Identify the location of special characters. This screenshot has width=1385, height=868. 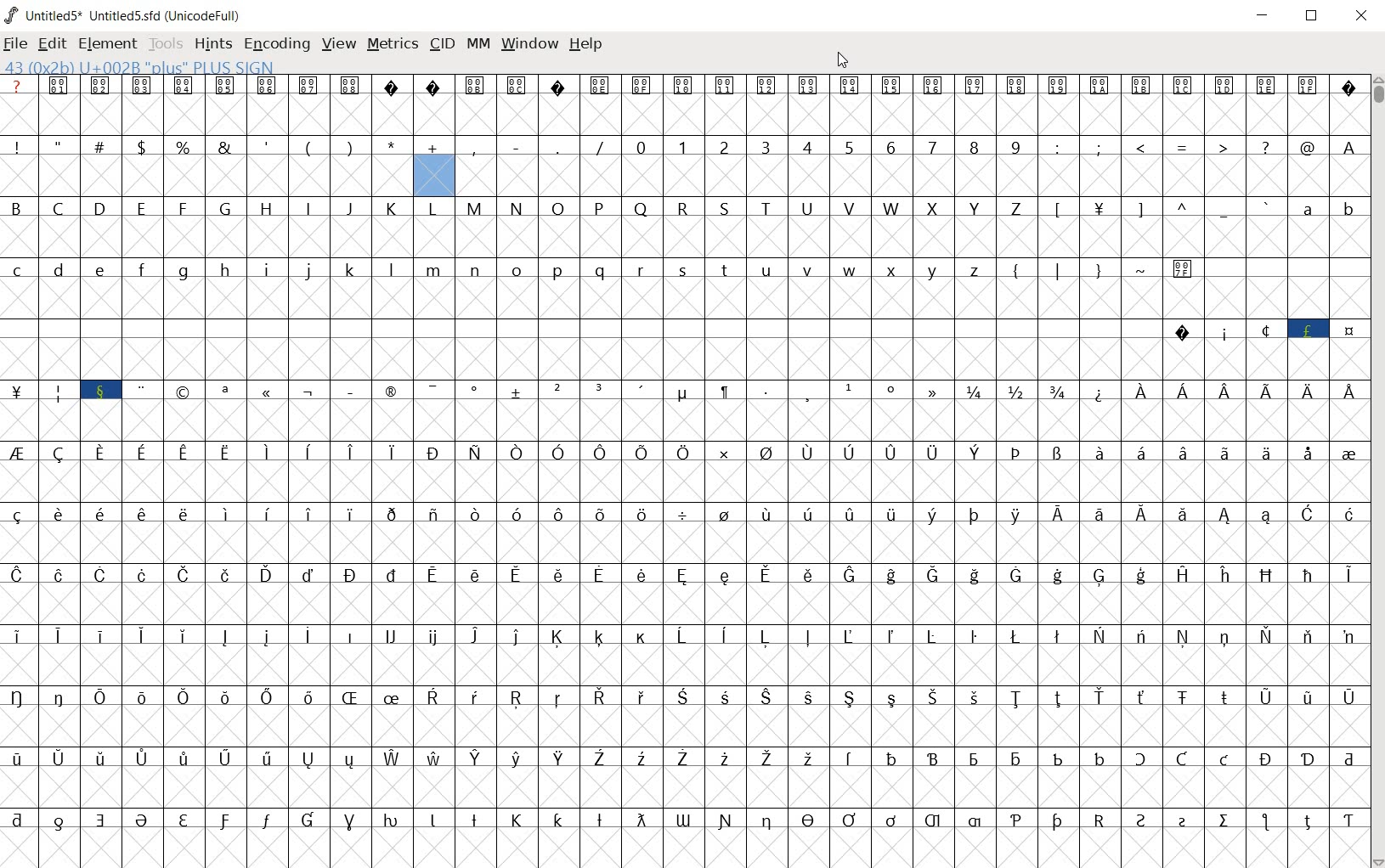
(1100, 288).